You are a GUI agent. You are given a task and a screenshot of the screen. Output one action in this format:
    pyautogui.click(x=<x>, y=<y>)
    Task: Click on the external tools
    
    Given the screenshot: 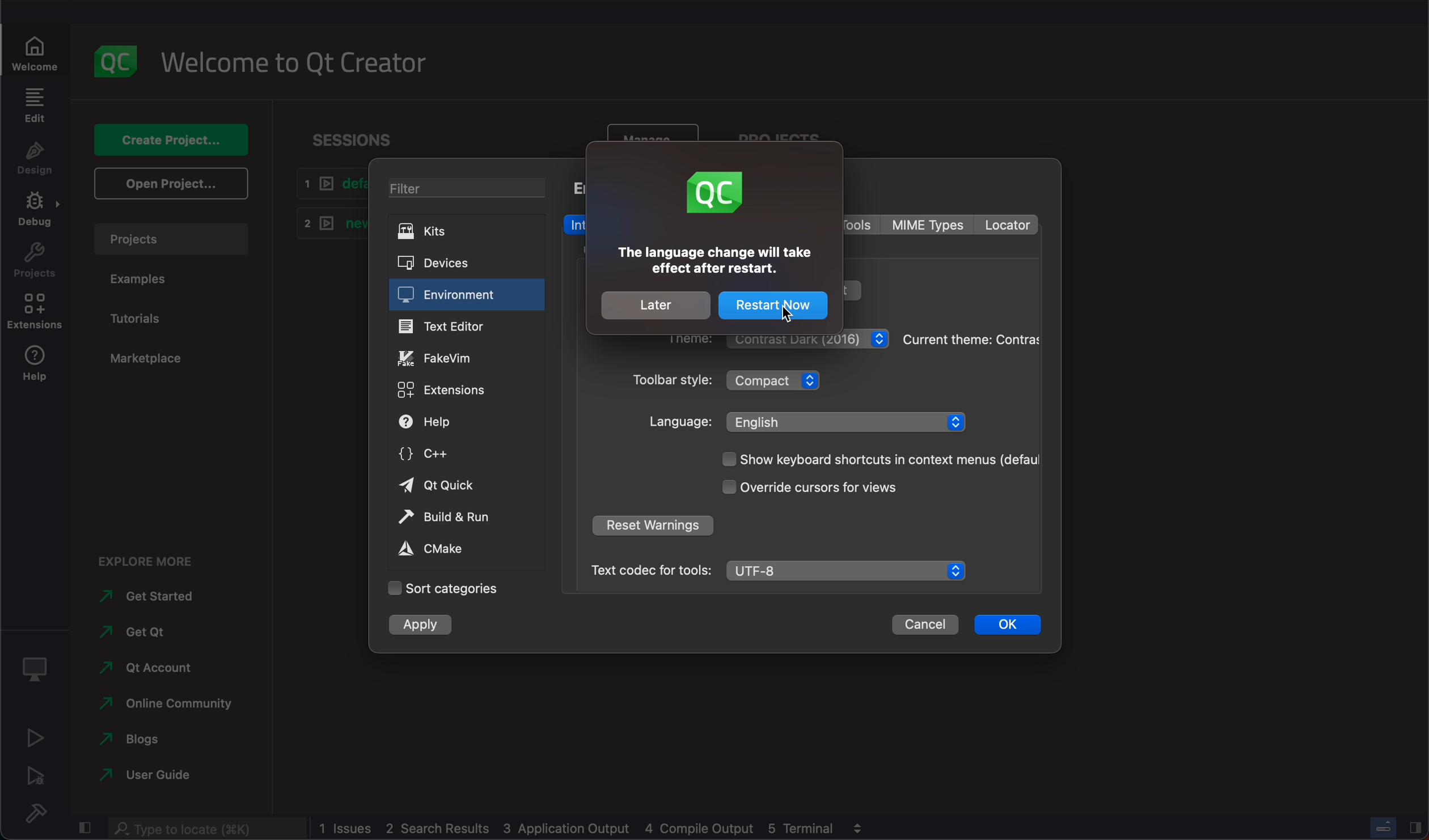 What is the action you would take?
    pyautogui.click(x=862, y=226)
    